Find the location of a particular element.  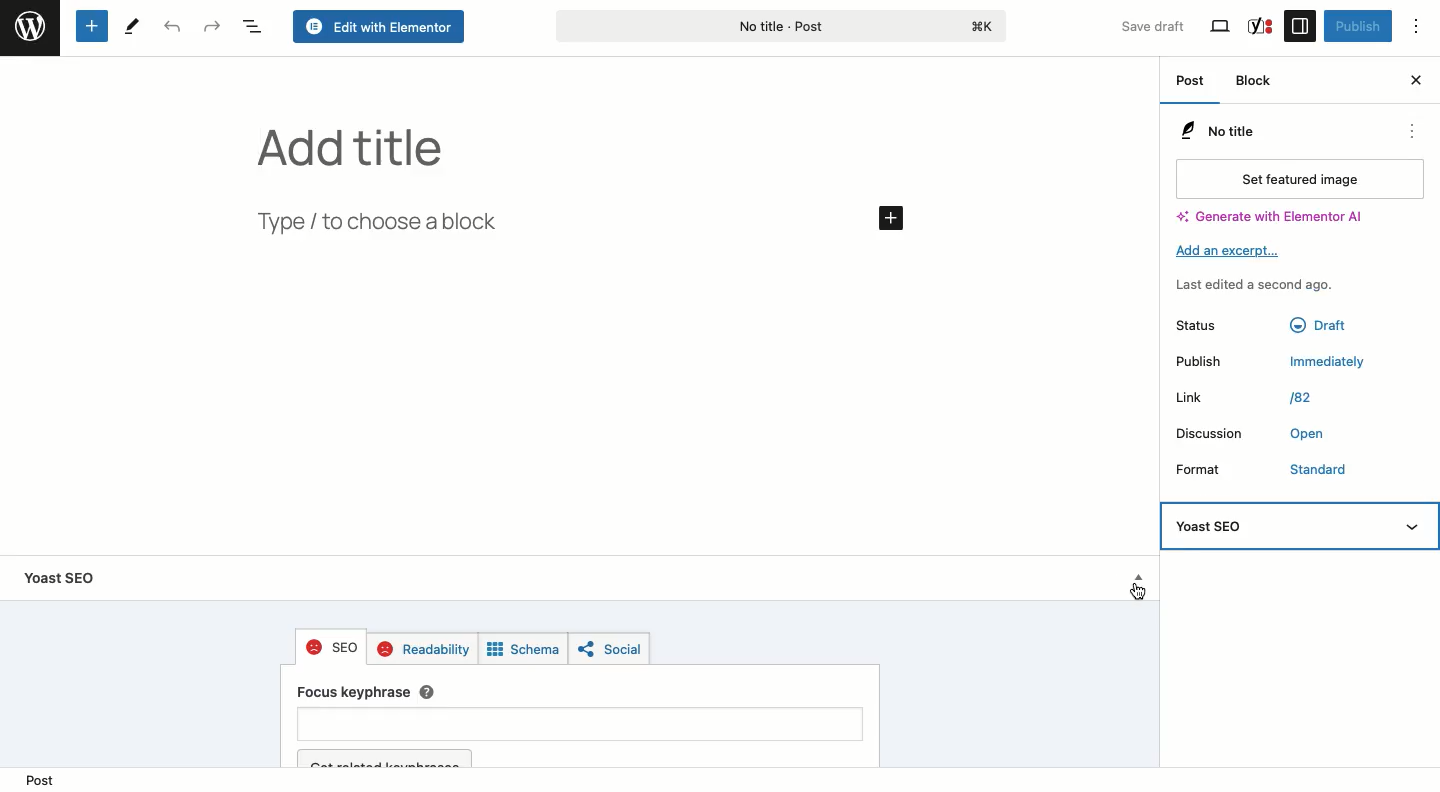

Standard is located at coordinates (1313, 468).